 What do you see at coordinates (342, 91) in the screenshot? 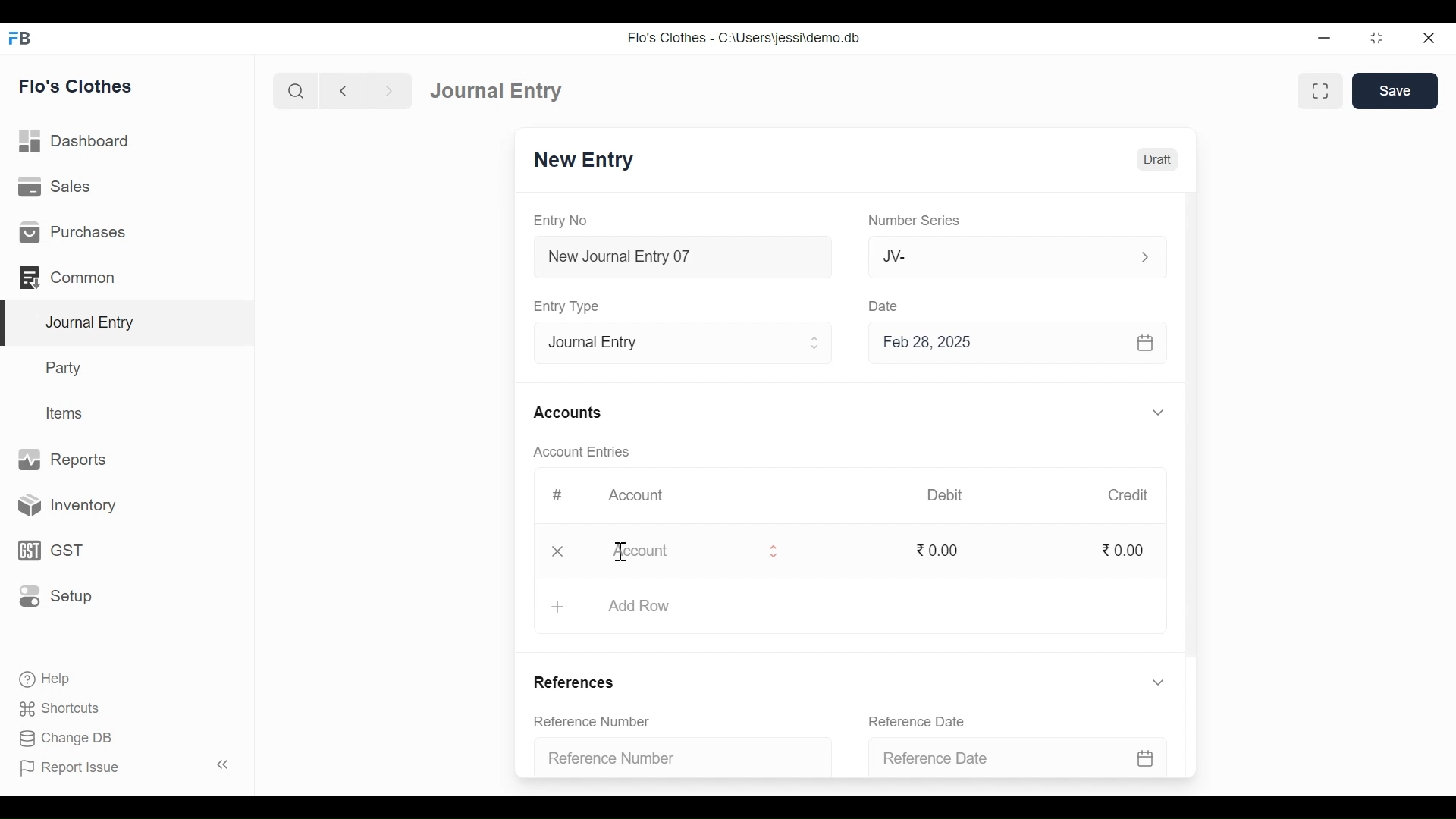
I see `Navigate Back` at bounding box center [342, 91].